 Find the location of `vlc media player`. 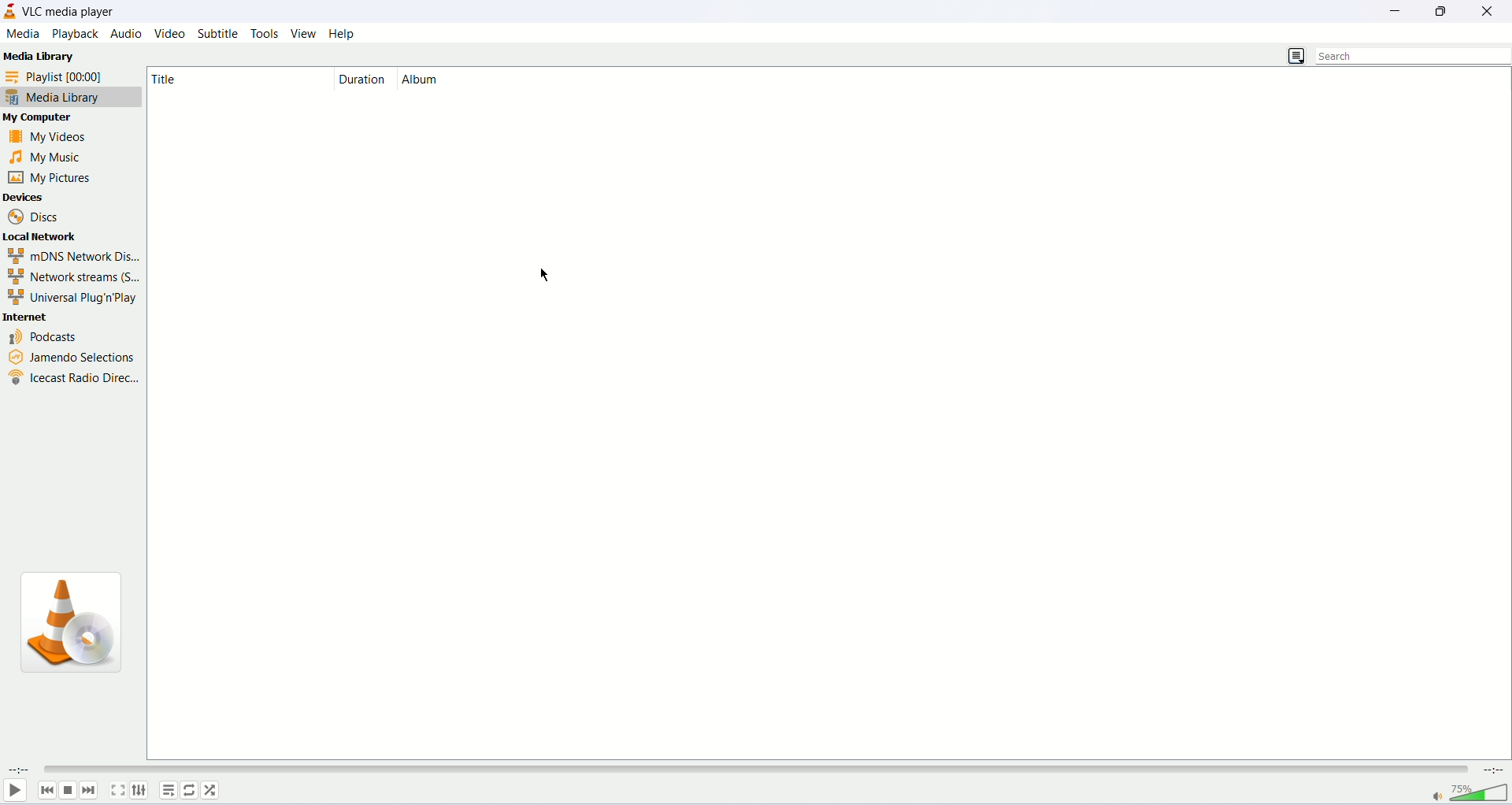

vlc media player is located at coordinates (75, 12).